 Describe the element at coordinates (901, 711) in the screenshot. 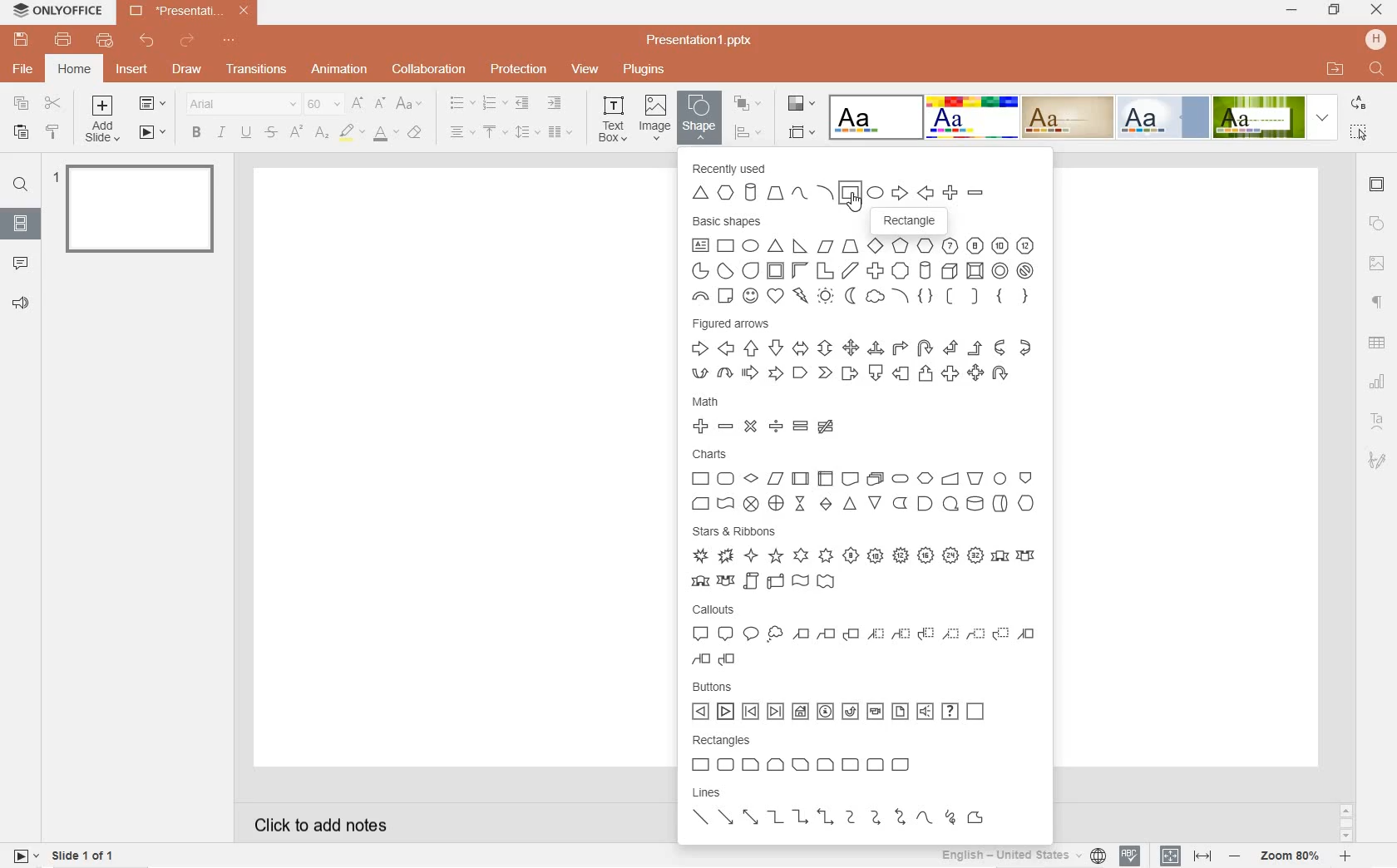

I see `Document button` at that location.